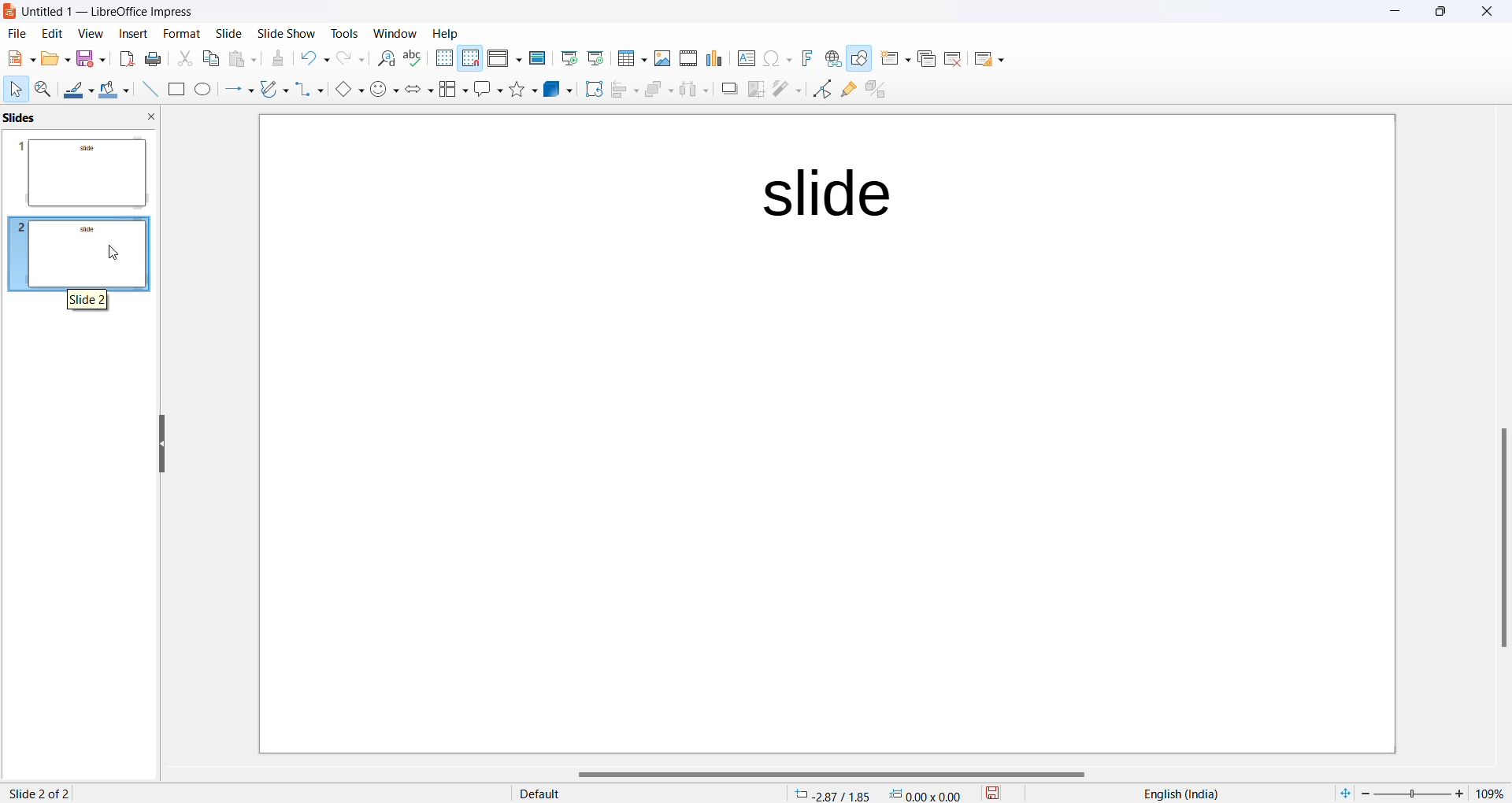  I want to click on Object distribution, so click(691, 90).